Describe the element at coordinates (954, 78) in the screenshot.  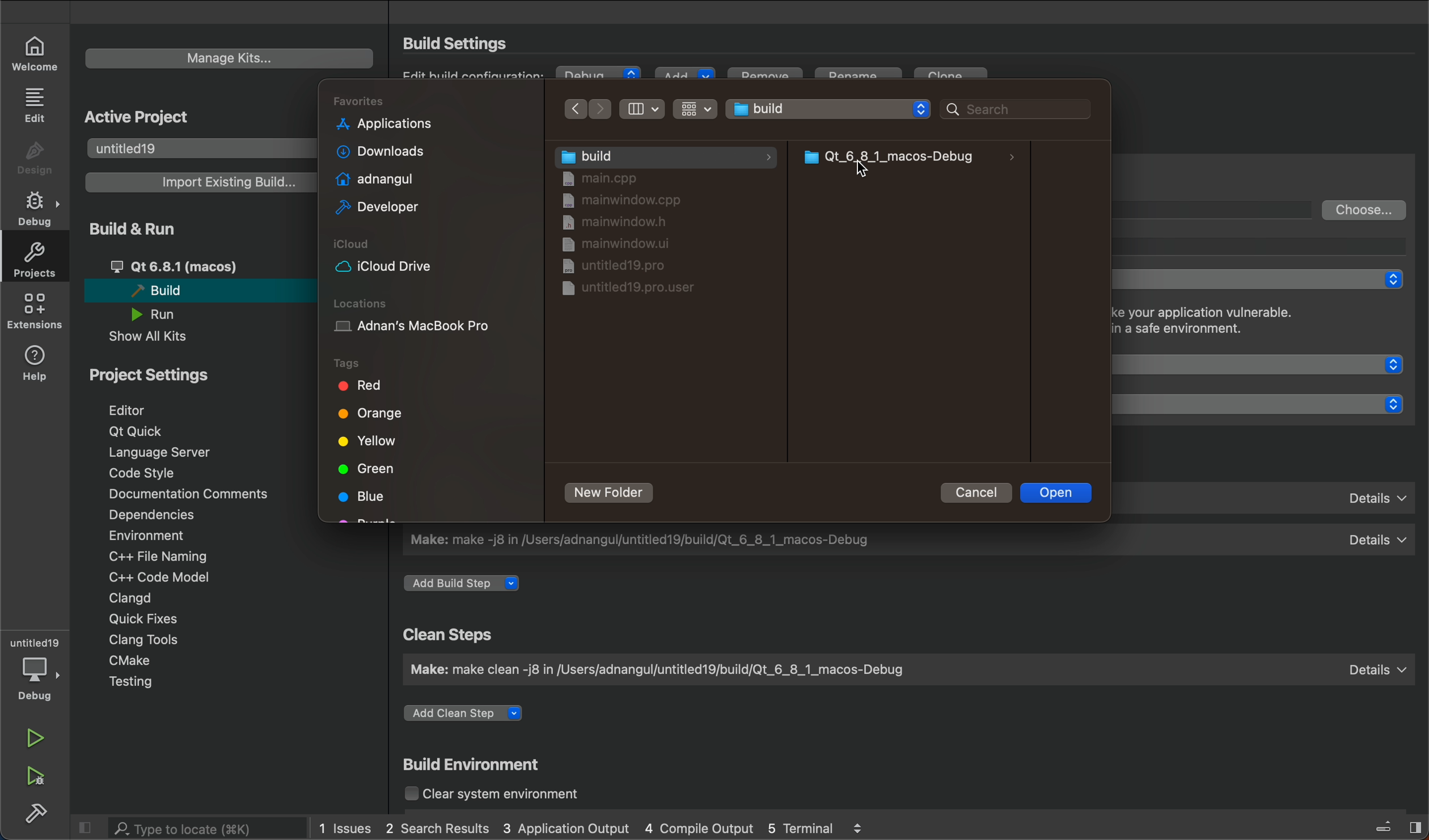
I see `clone` at that location.